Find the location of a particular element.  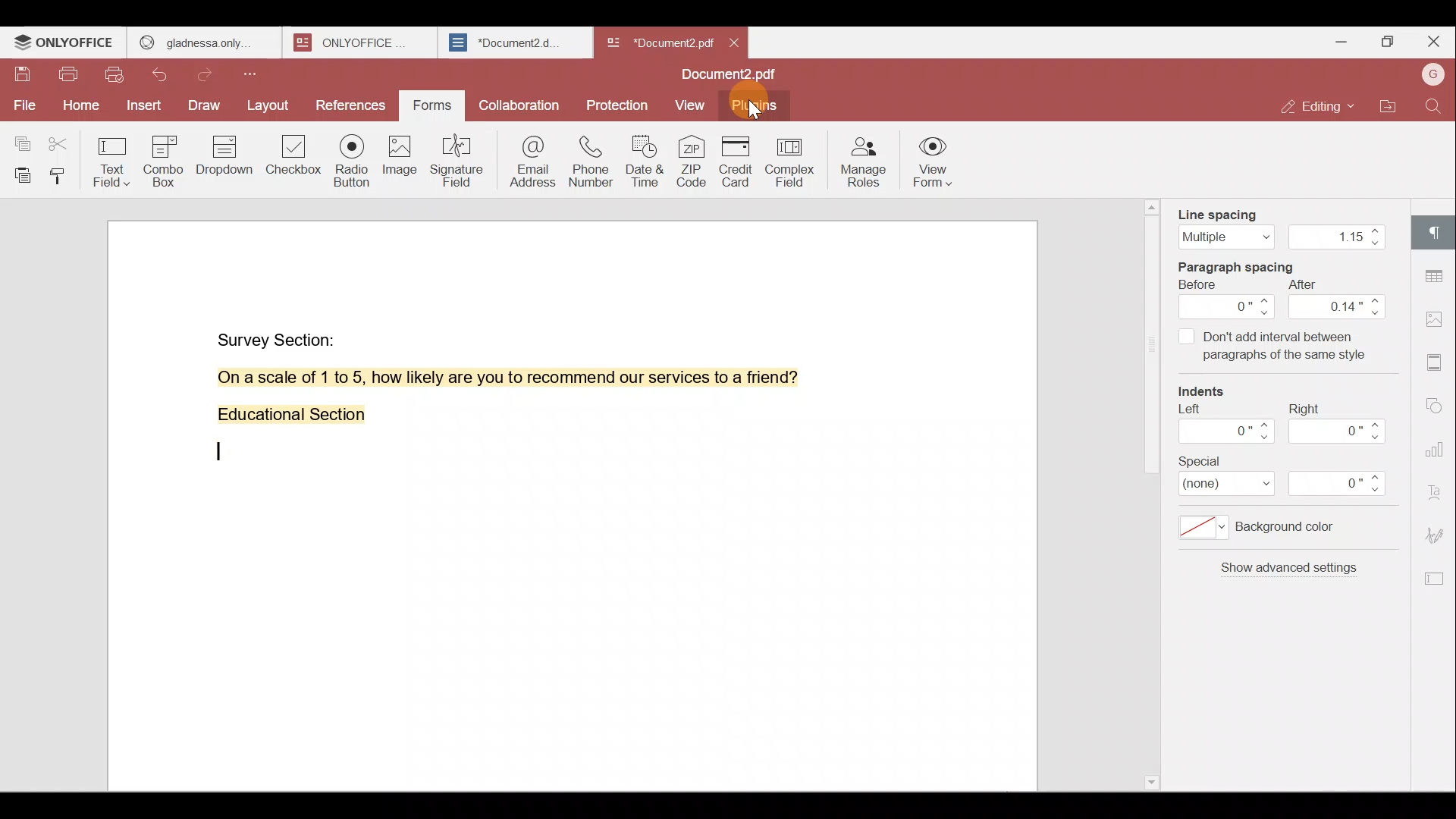

Paste is located at coordinates (18, 175).